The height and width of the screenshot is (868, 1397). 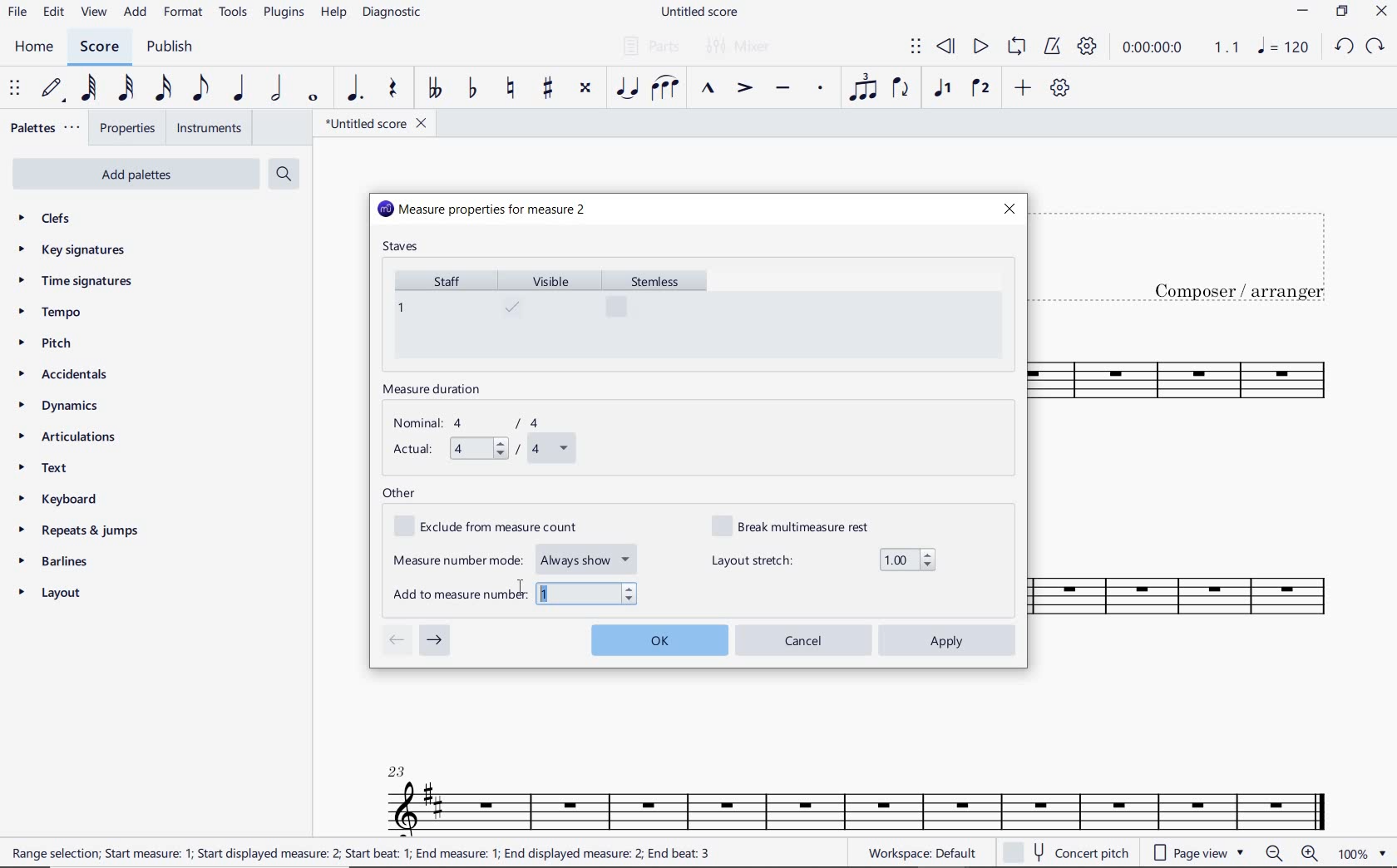 What do you see at coordinates (61, 343) in the screenshot?
I see `PITCH` at bounding box center [61, 343].